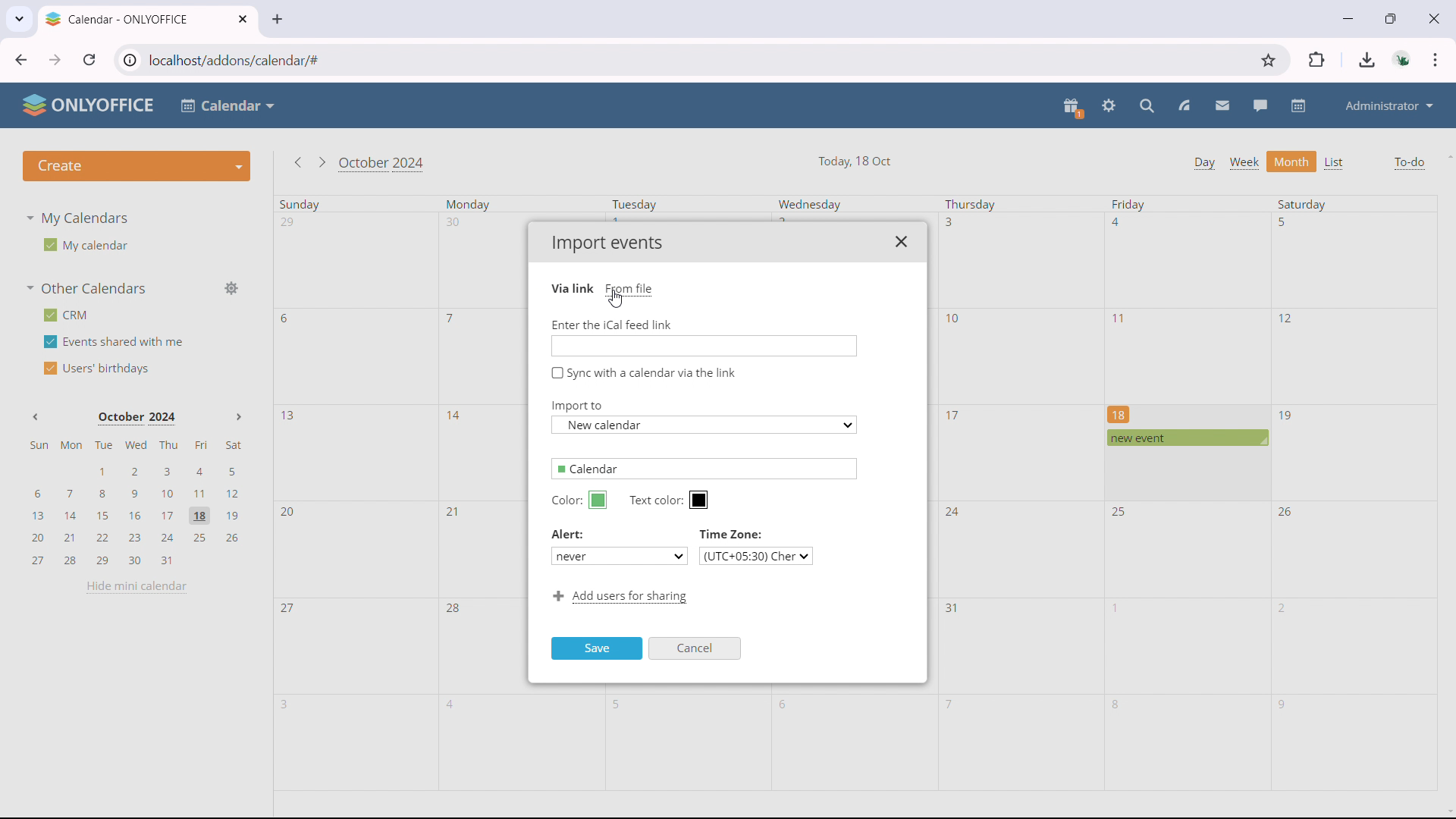 The image size is (1456, 819). What do you see at coordinates (1318, 59) in the screenshot?
I see `extensions` at bounding box center [1318, 59].